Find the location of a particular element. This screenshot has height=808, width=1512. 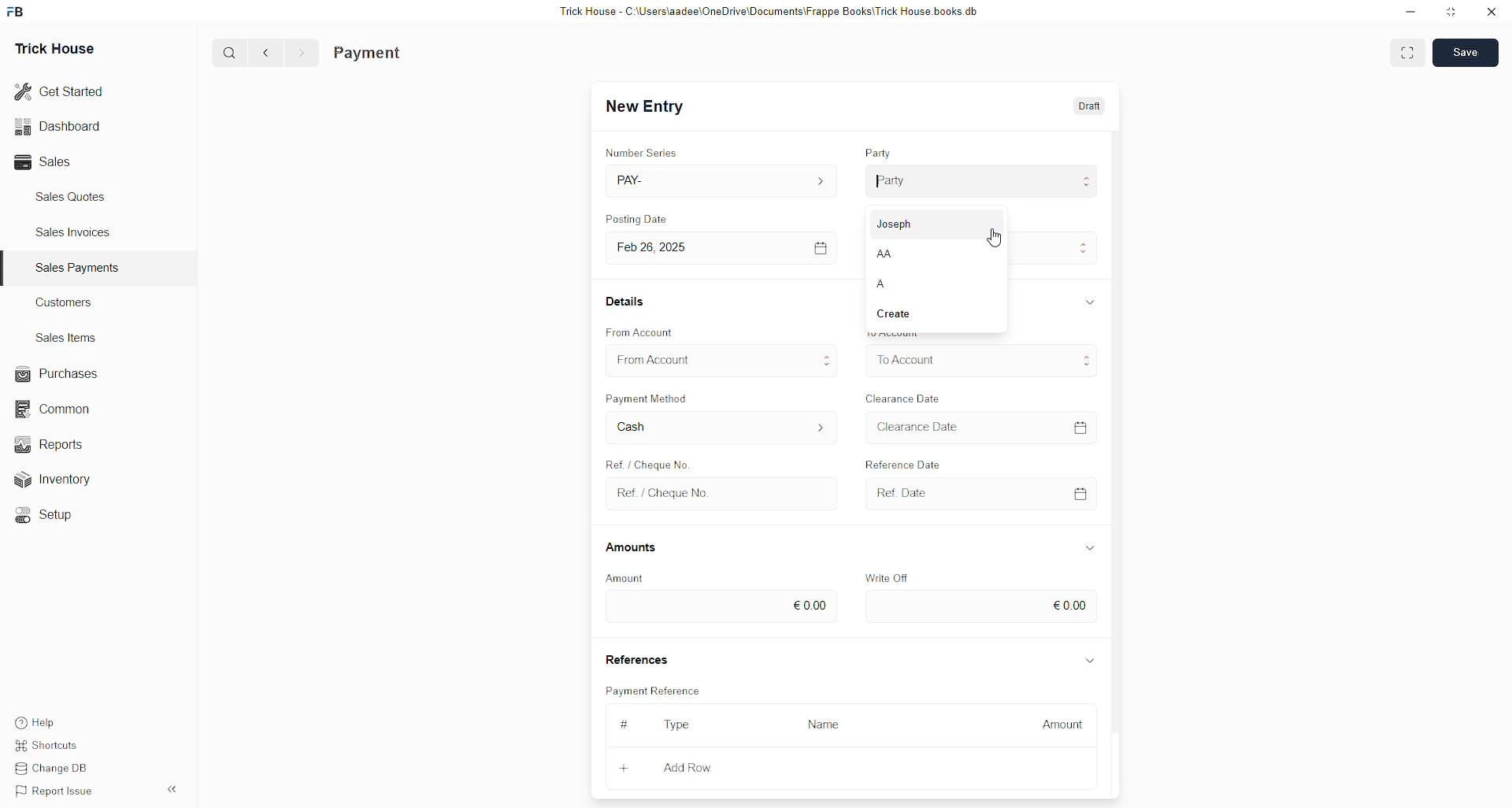

Ref. / Cheque No. is located at coordinates (646, 462).